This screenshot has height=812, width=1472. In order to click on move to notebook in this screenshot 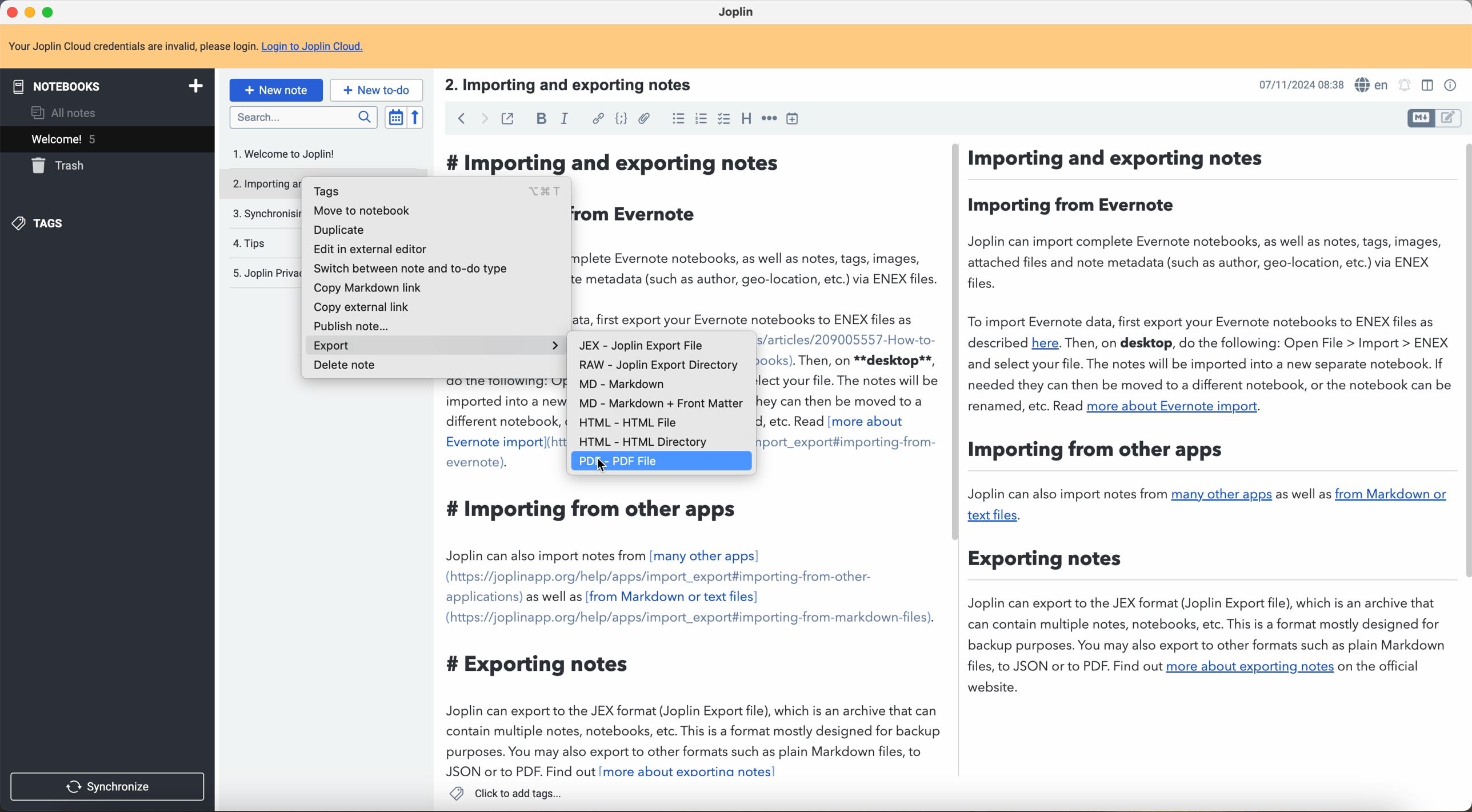, I will do `click(362, 210)`.